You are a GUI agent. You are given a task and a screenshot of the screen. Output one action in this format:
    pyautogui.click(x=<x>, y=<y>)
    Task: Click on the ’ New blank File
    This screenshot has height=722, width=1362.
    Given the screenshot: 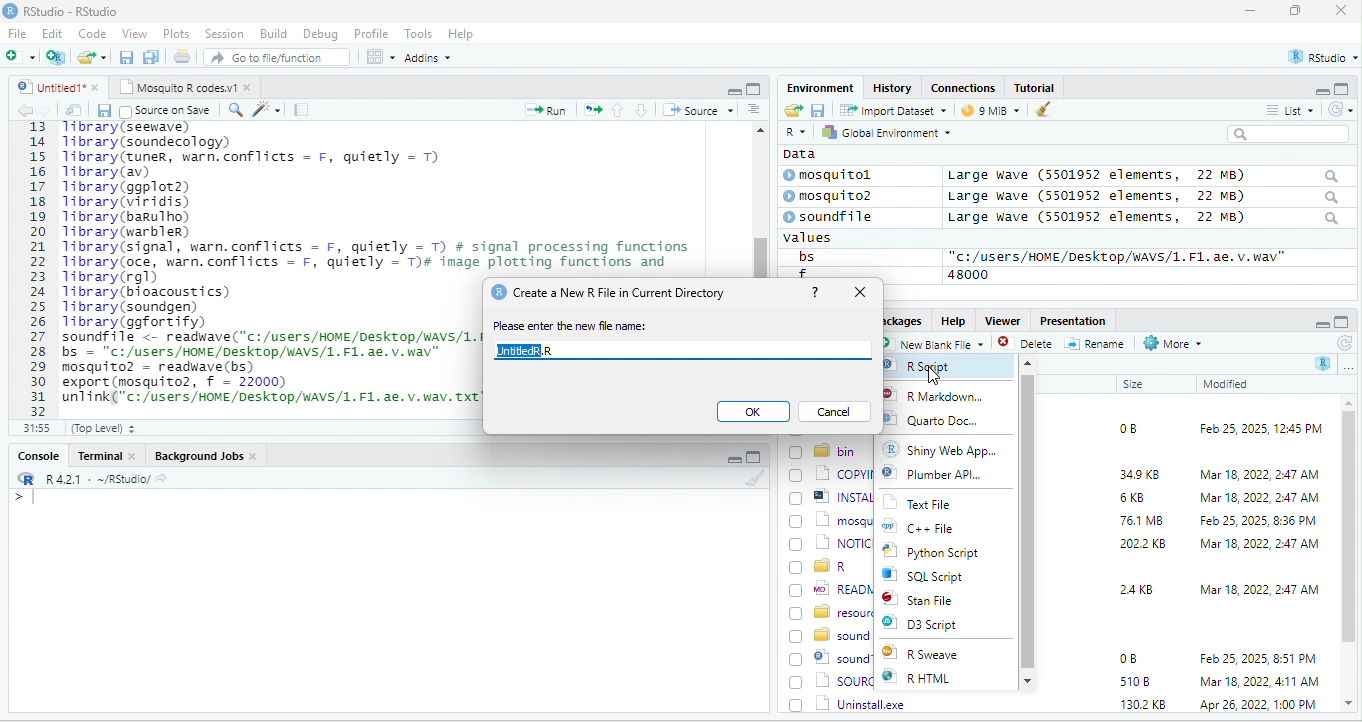 What is the action you would take?
    pyautogui.click(x=937, y=346)
    